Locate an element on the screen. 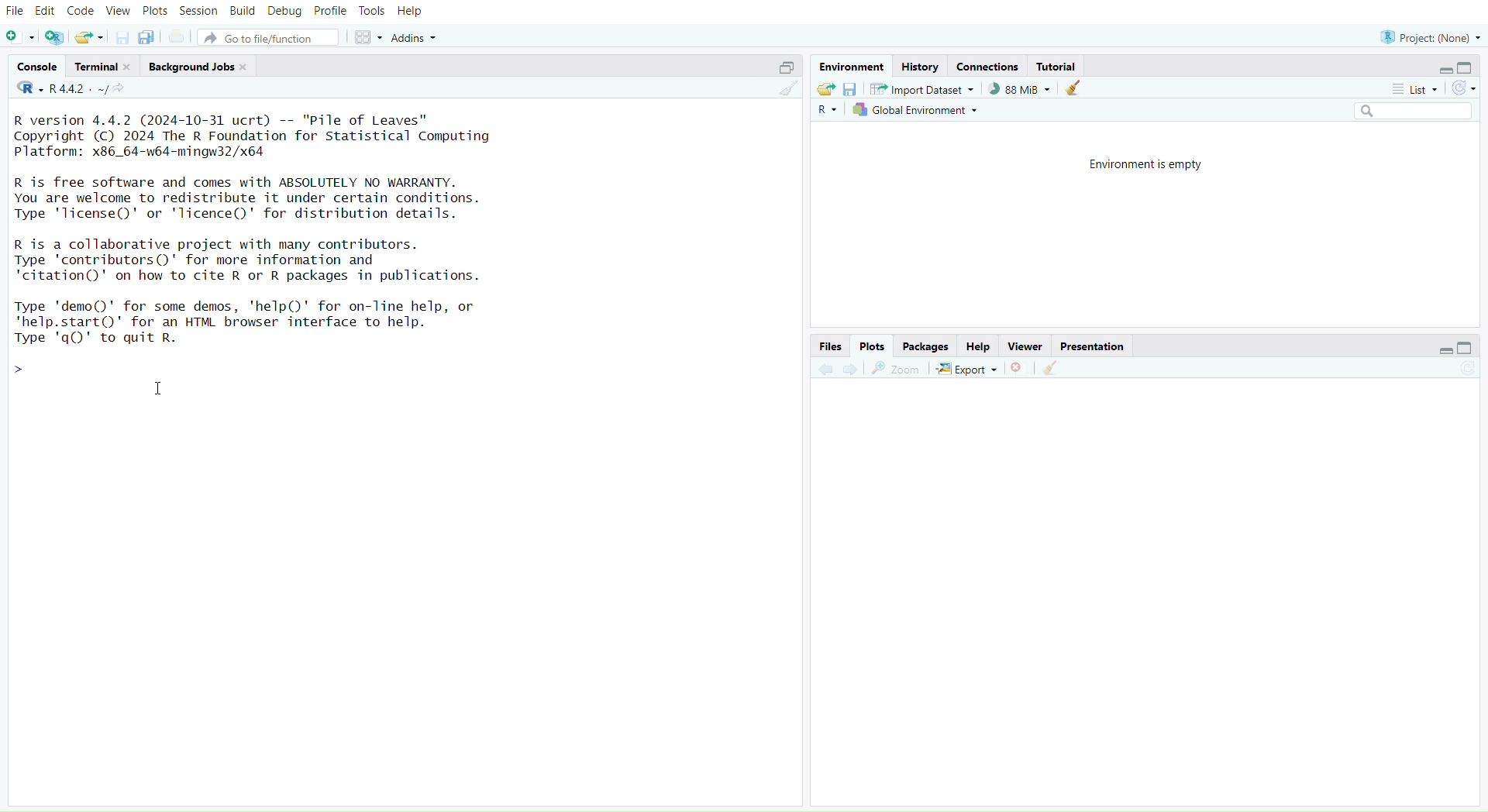 The width and height of the screenshot is (1488, 812). forward is located at coordinates (856, 370).